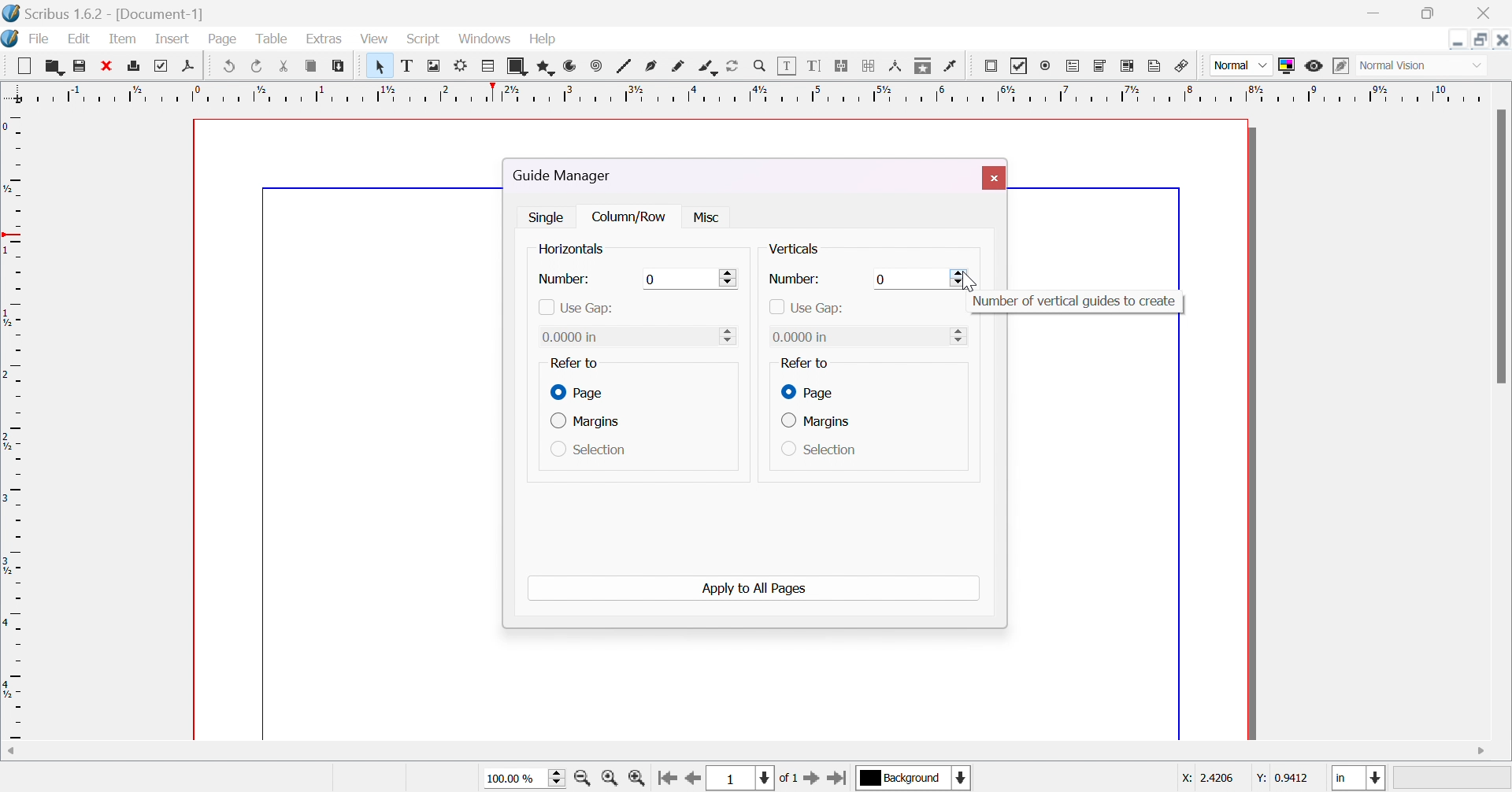 The width and height of the screenshot is (1512, 792). Describe the element at coordinates (124, 38) in the screenshot. I see `item` at that location.